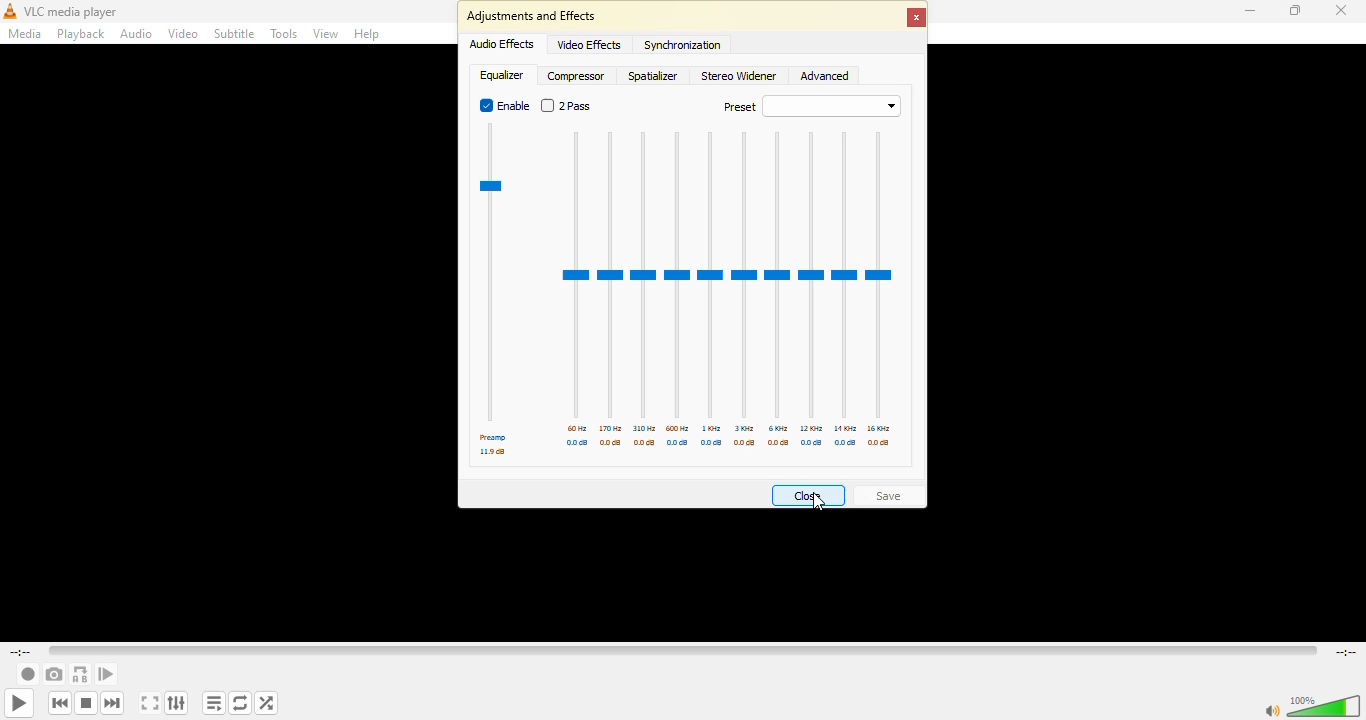 The height and width of the screenshot is (720, 1366). I want to click on adjustor, so click(746, 276).